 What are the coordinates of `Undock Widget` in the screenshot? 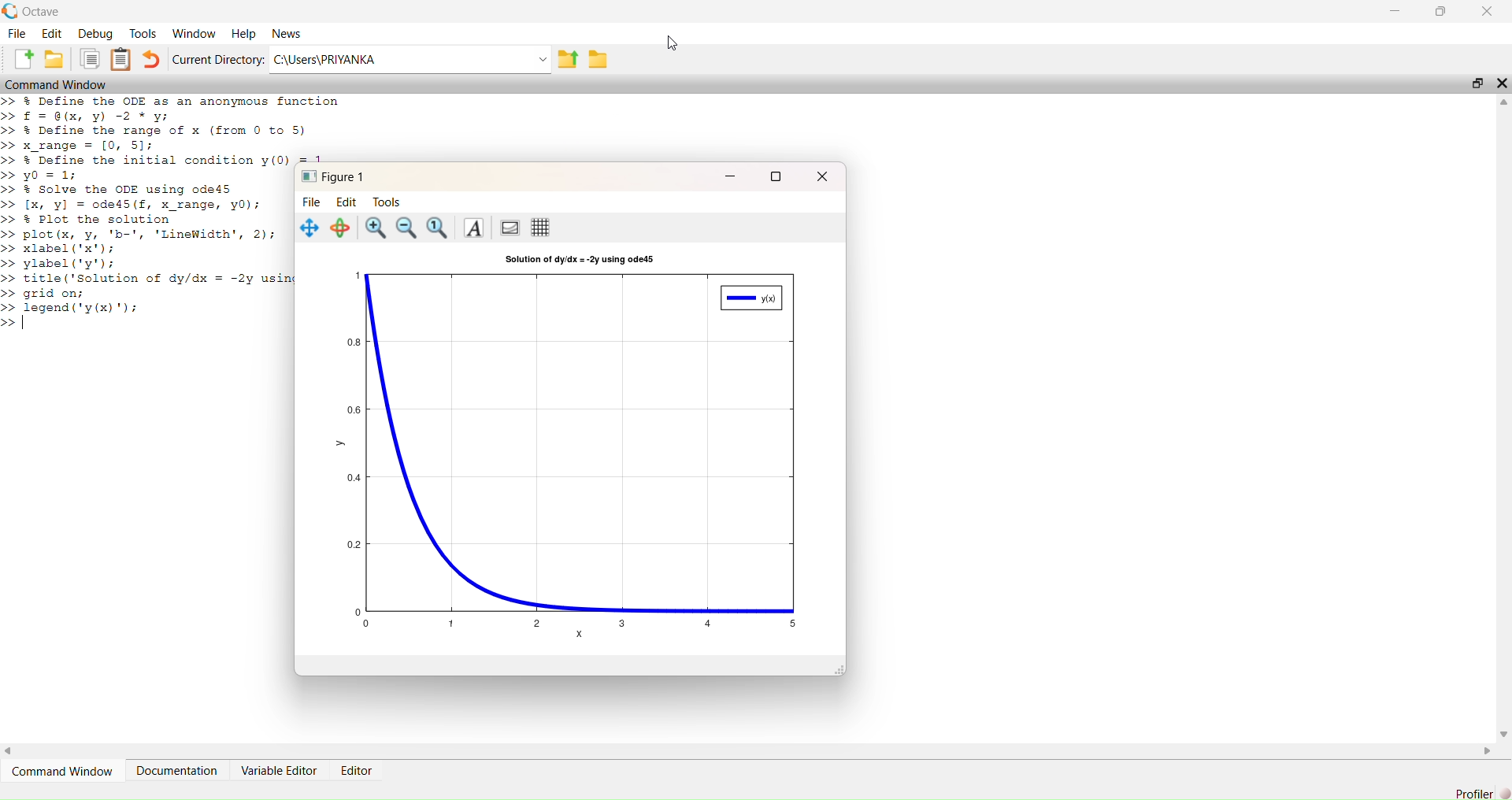 It's located at (1478, 83).